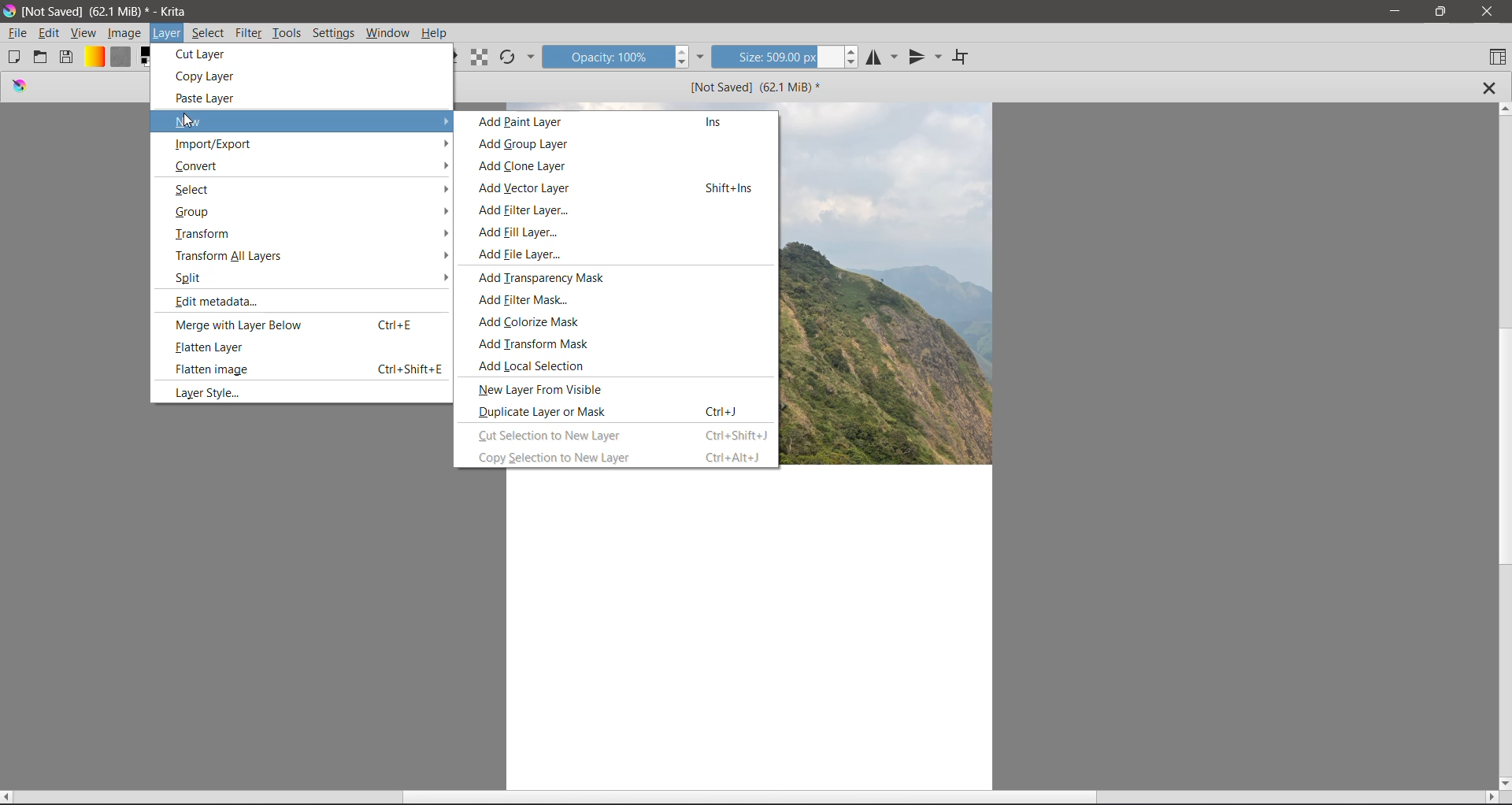  I want to click on Group, so click(311, 213).